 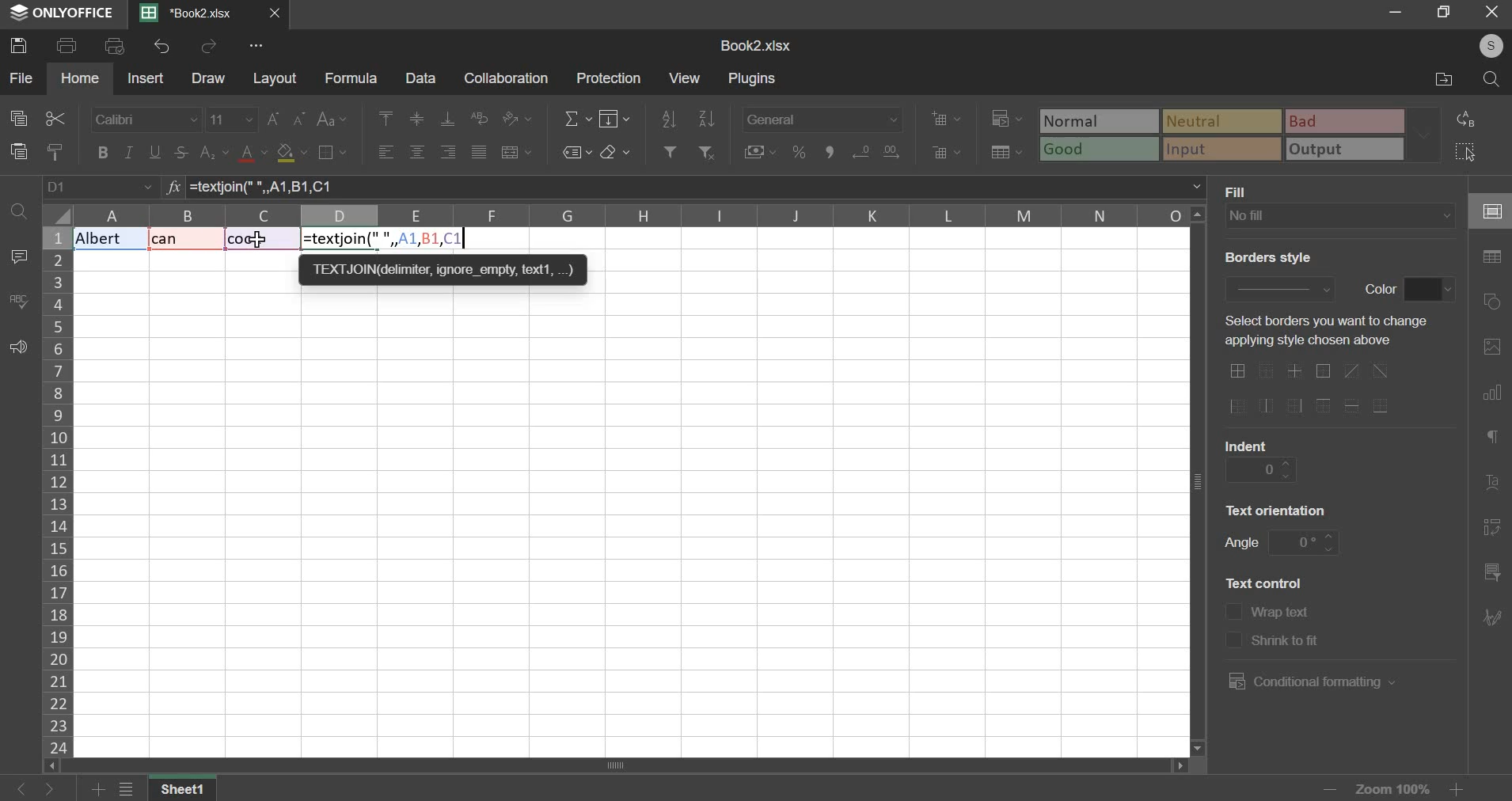 I want to click on protection, so click(x=612, y=78).